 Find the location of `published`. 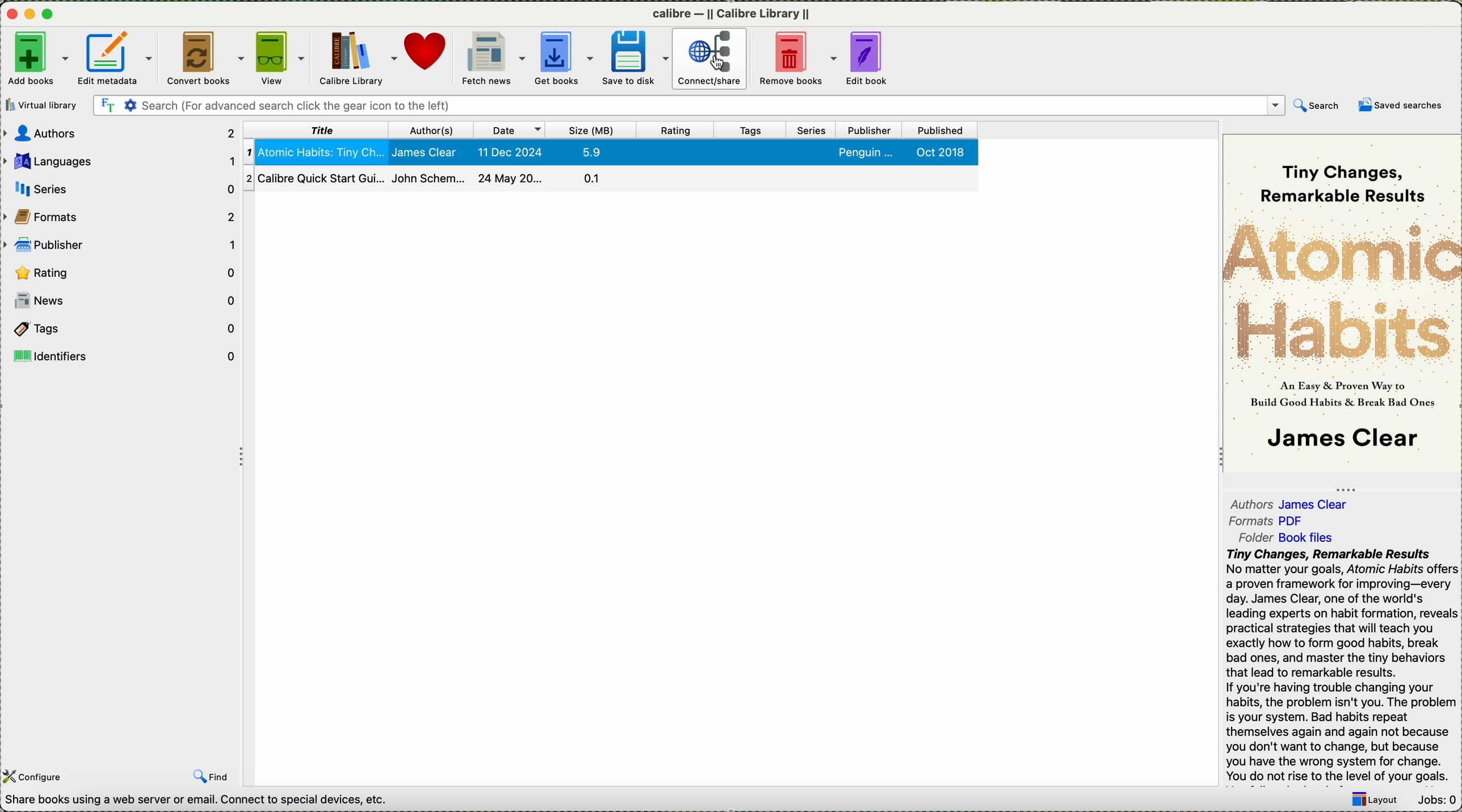

published is located at coordinates (941, 130).